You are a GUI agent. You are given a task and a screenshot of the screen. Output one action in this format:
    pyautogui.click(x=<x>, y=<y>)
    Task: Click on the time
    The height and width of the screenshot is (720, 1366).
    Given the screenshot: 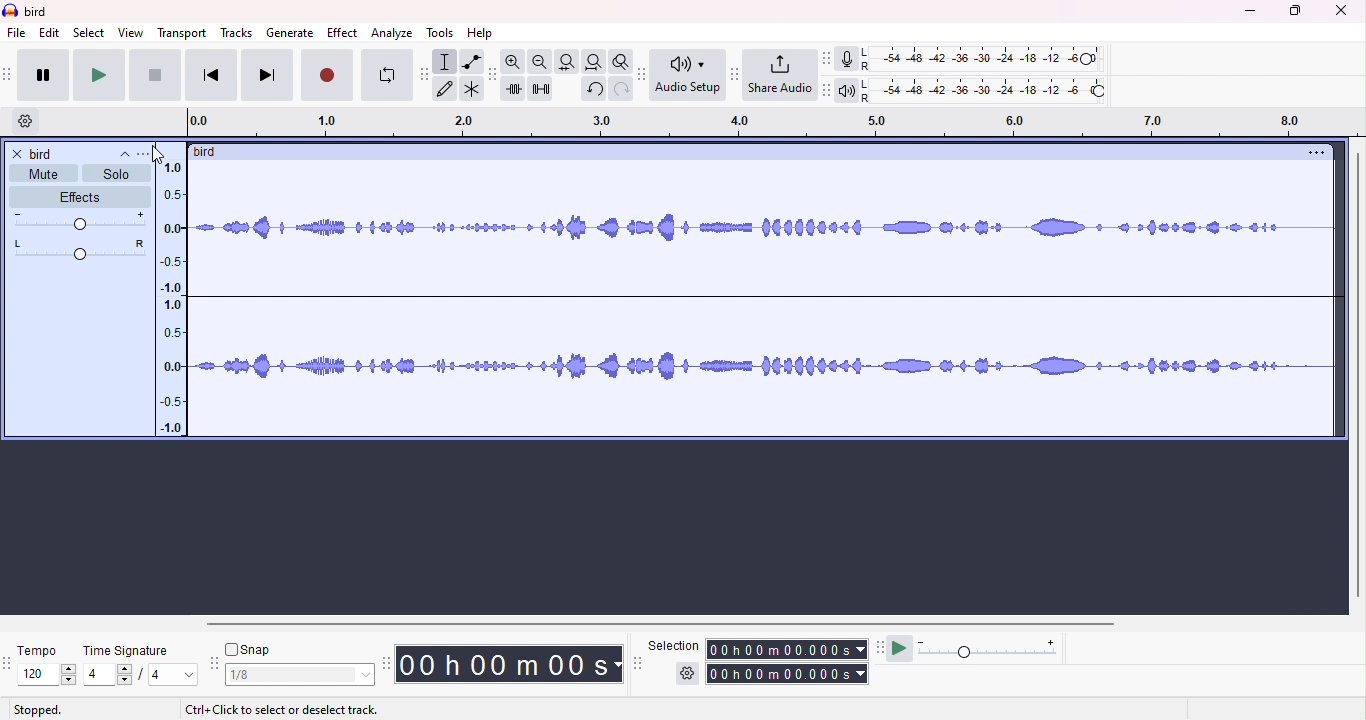 What is the action you would take?
    pyautogui.click(x=511, y=663)
    